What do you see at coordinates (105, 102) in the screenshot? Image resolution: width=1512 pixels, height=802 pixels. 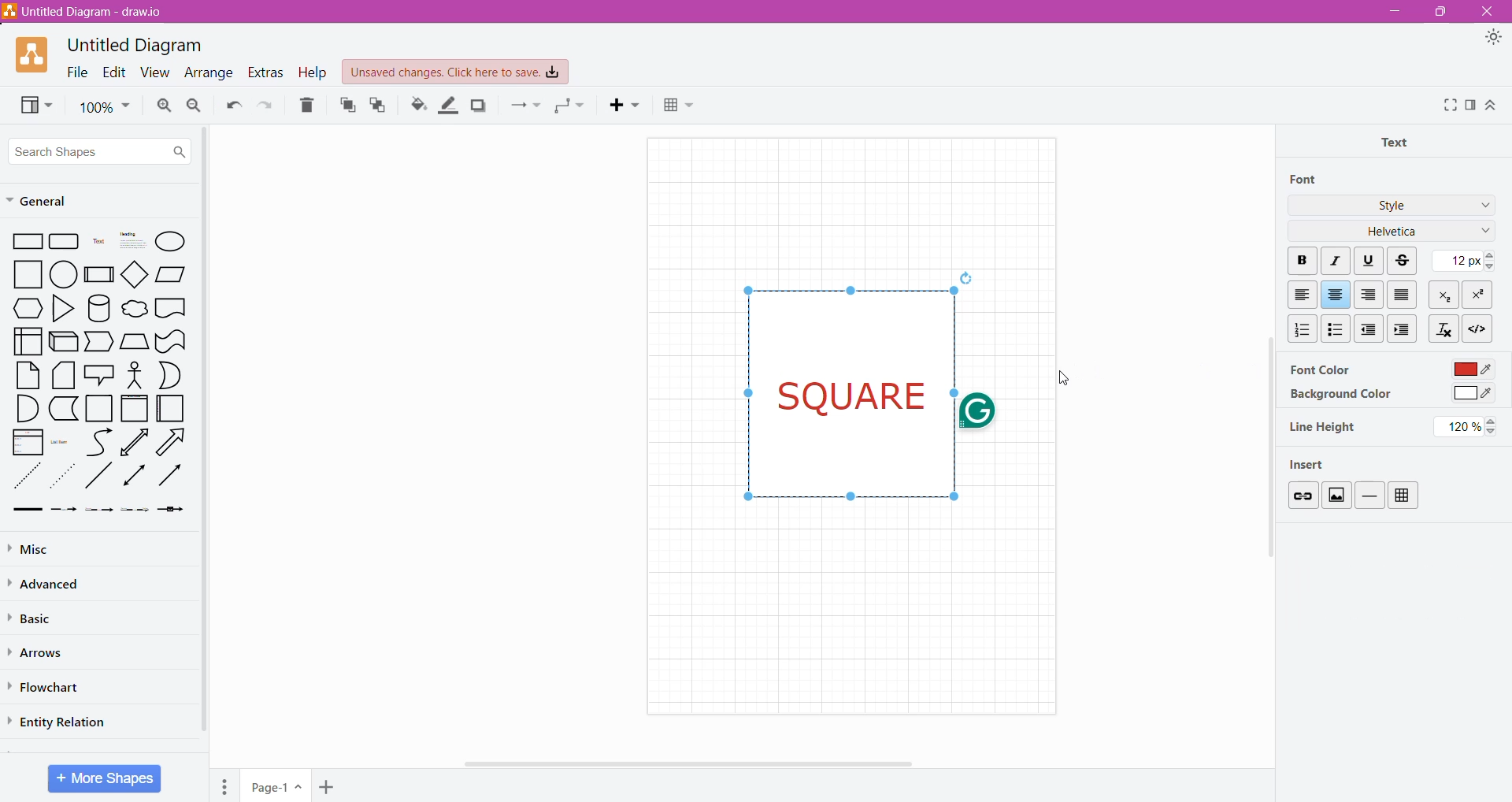 I see `Zoom` at bounding box center [105, 102].